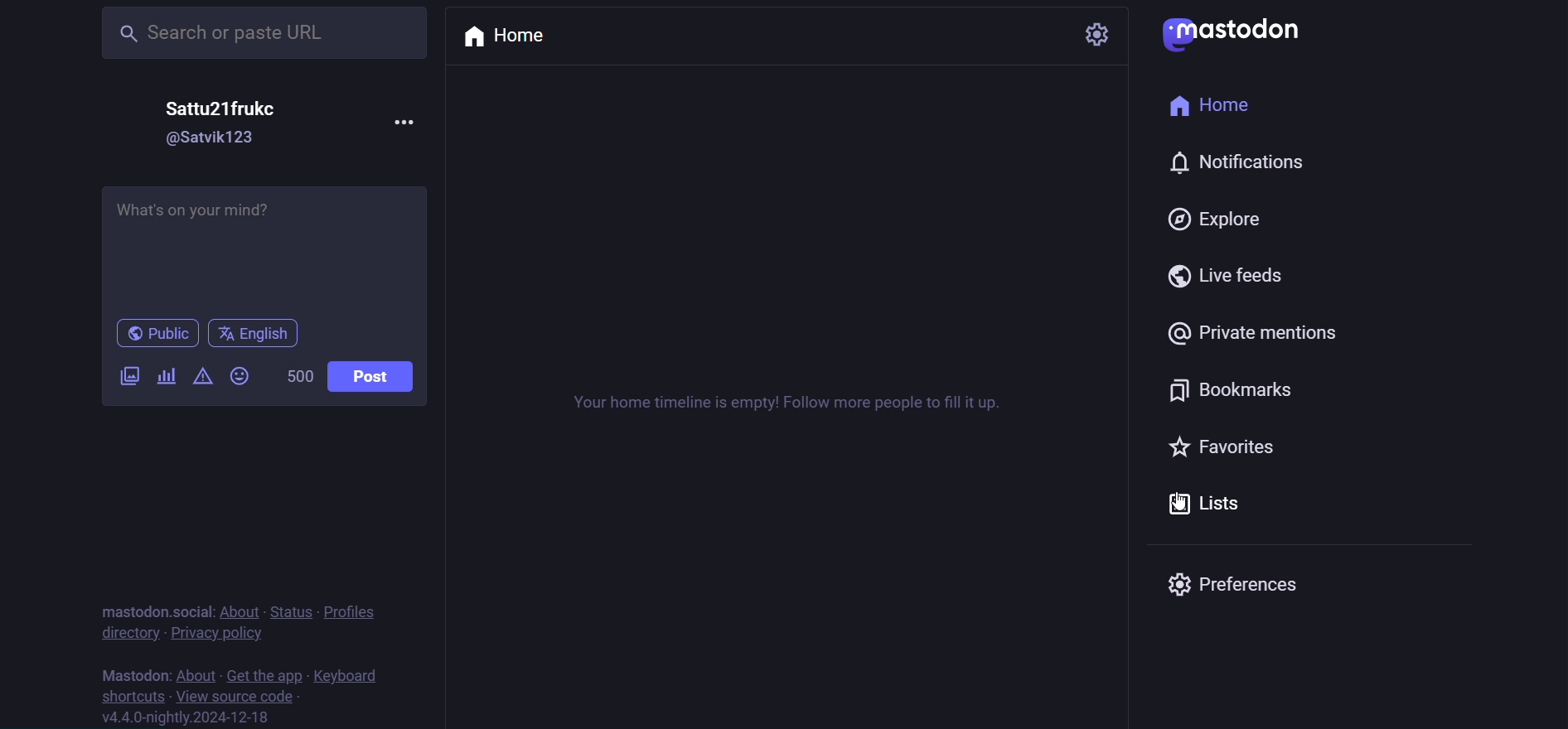  Describe the element at coordinates (371, 376) in the screenshot. I see `post` at that location.